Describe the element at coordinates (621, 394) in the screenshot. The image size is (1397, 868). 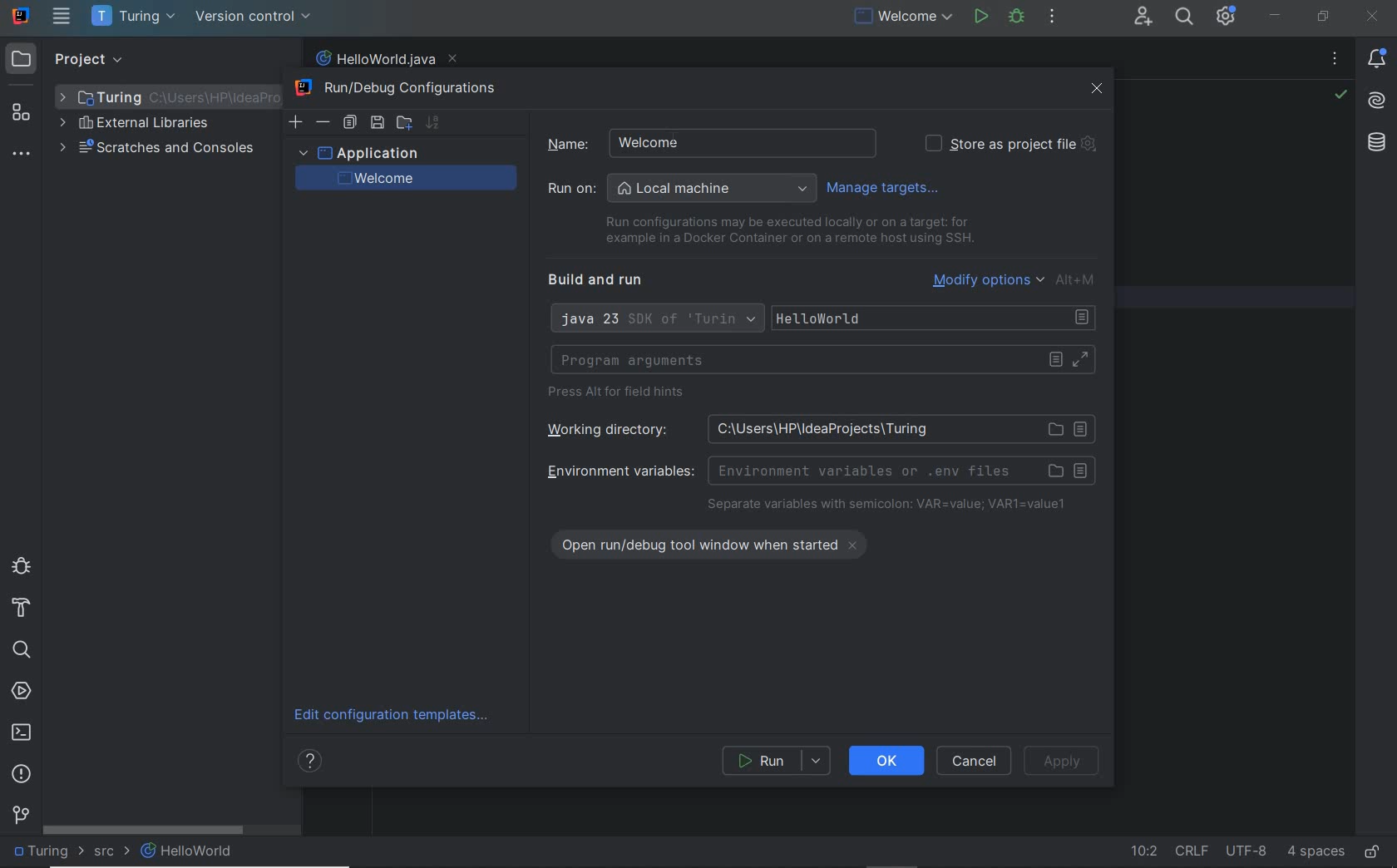
I see `press Alt for field hints` at that location.